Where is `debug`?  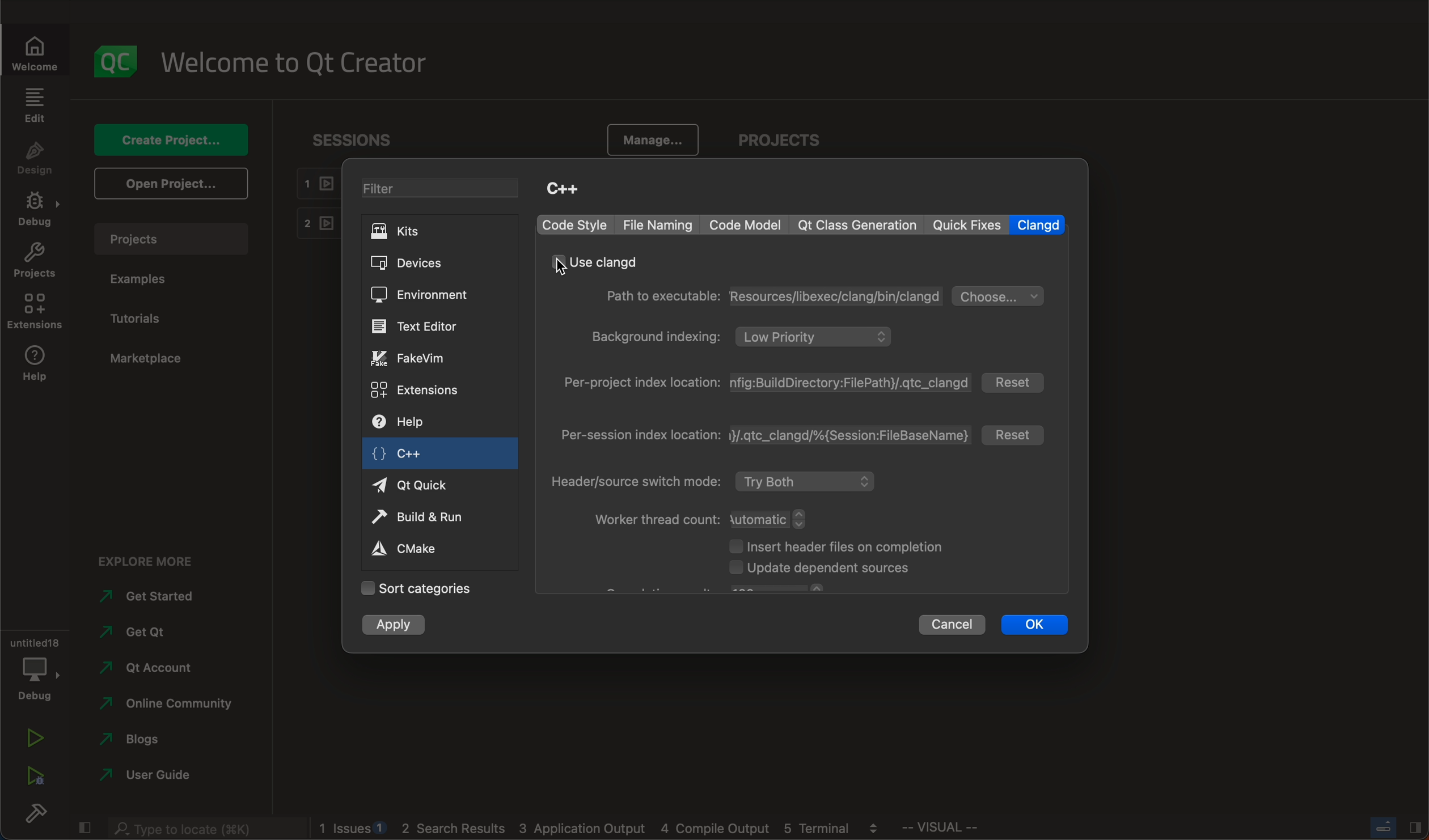 debug is located at coordinates (37, 208).